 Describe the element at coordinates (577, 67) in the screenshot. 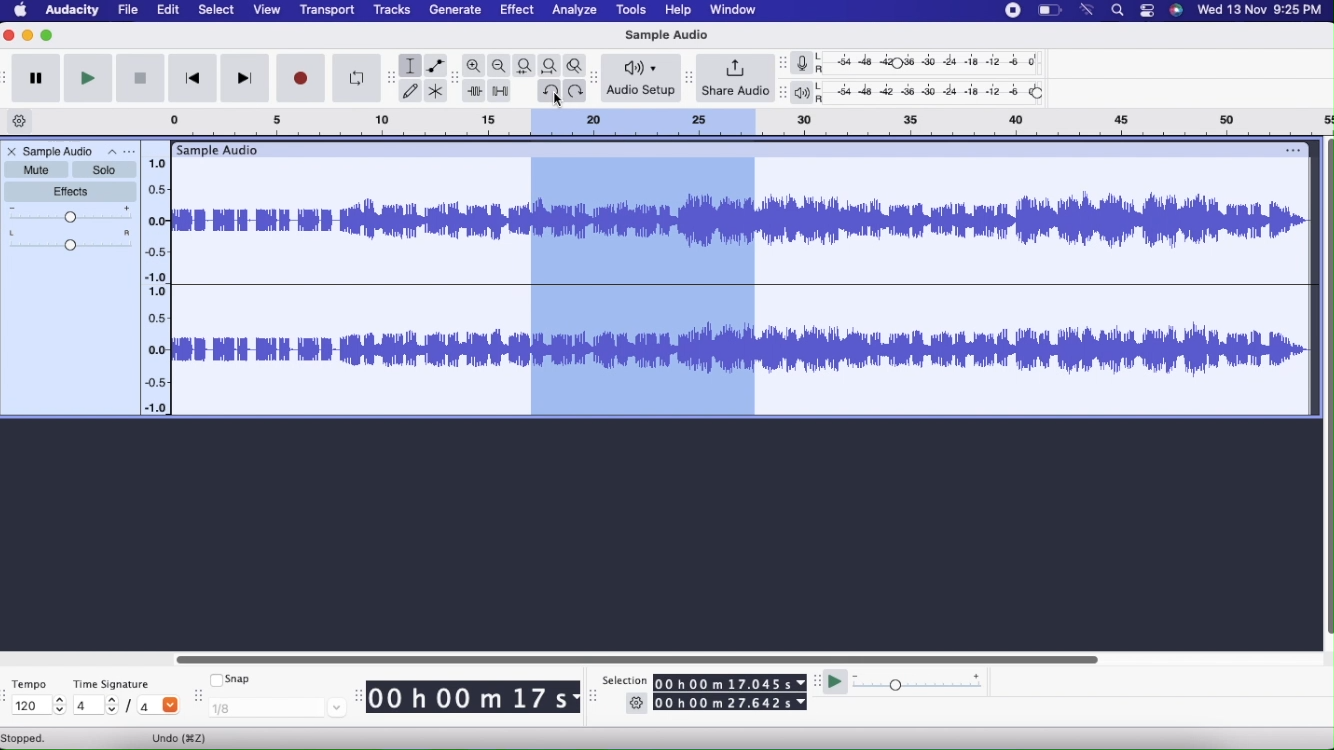

I see `Zoom toggle` at that location.